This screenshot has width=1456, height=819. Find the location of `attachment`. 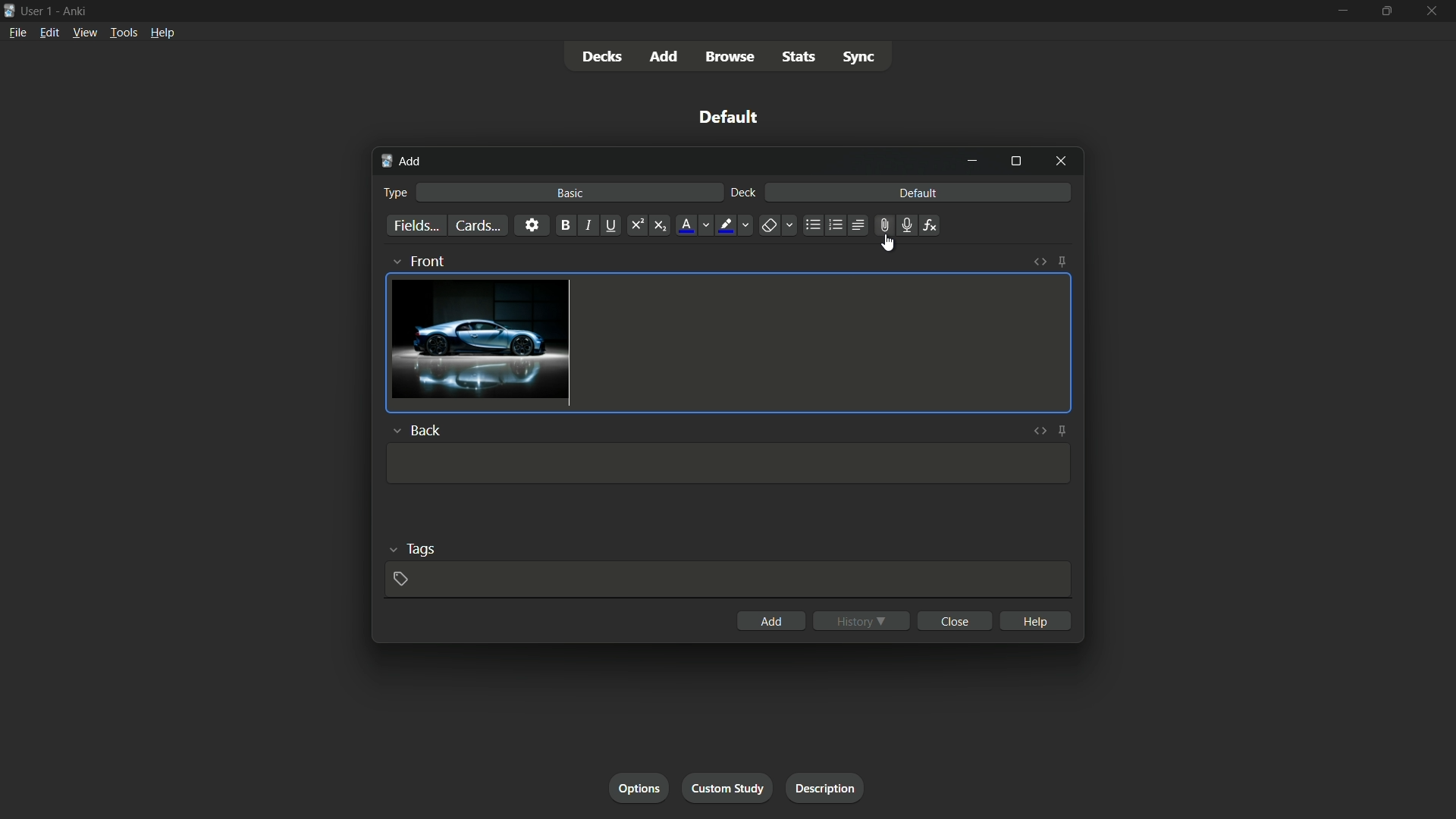

attachment is located at coordinates (884, 224).